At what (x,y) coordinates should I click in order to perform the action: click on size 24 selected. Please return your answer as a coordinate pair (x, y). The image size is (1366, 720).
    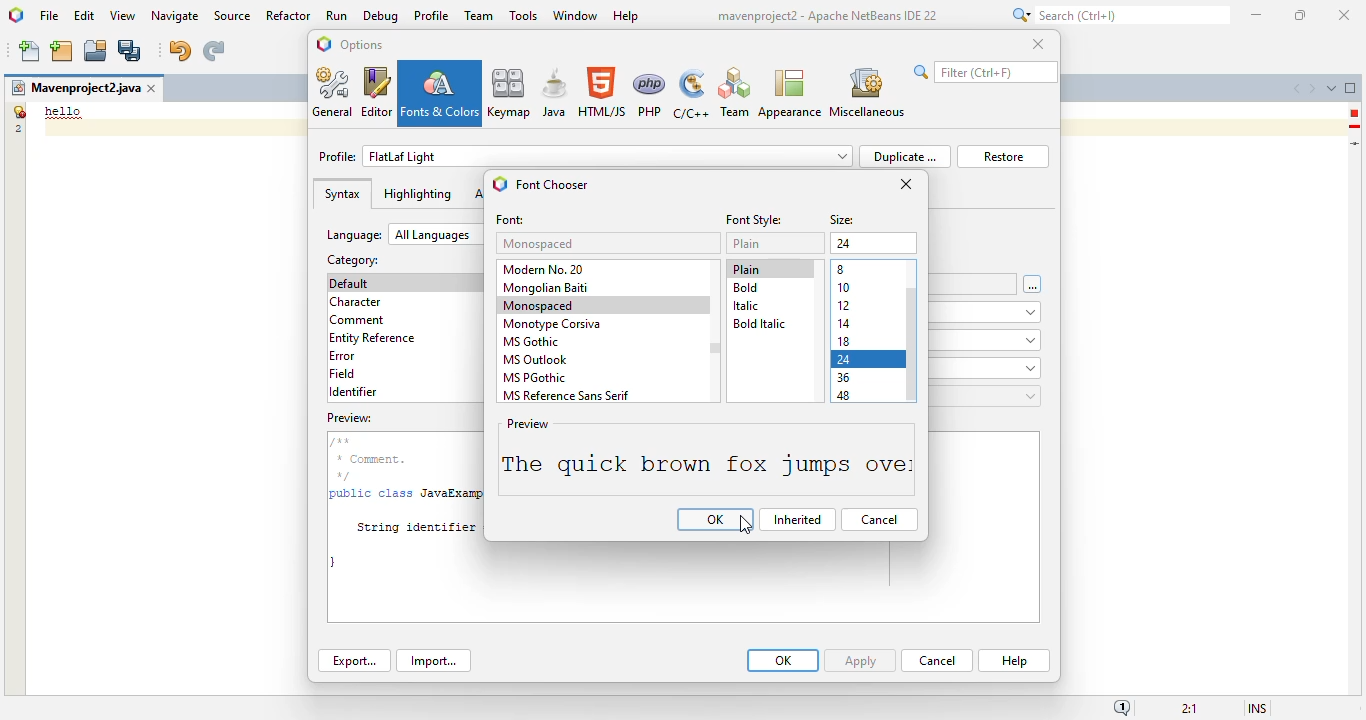
    Looking at the image, I should click on (865, 358).